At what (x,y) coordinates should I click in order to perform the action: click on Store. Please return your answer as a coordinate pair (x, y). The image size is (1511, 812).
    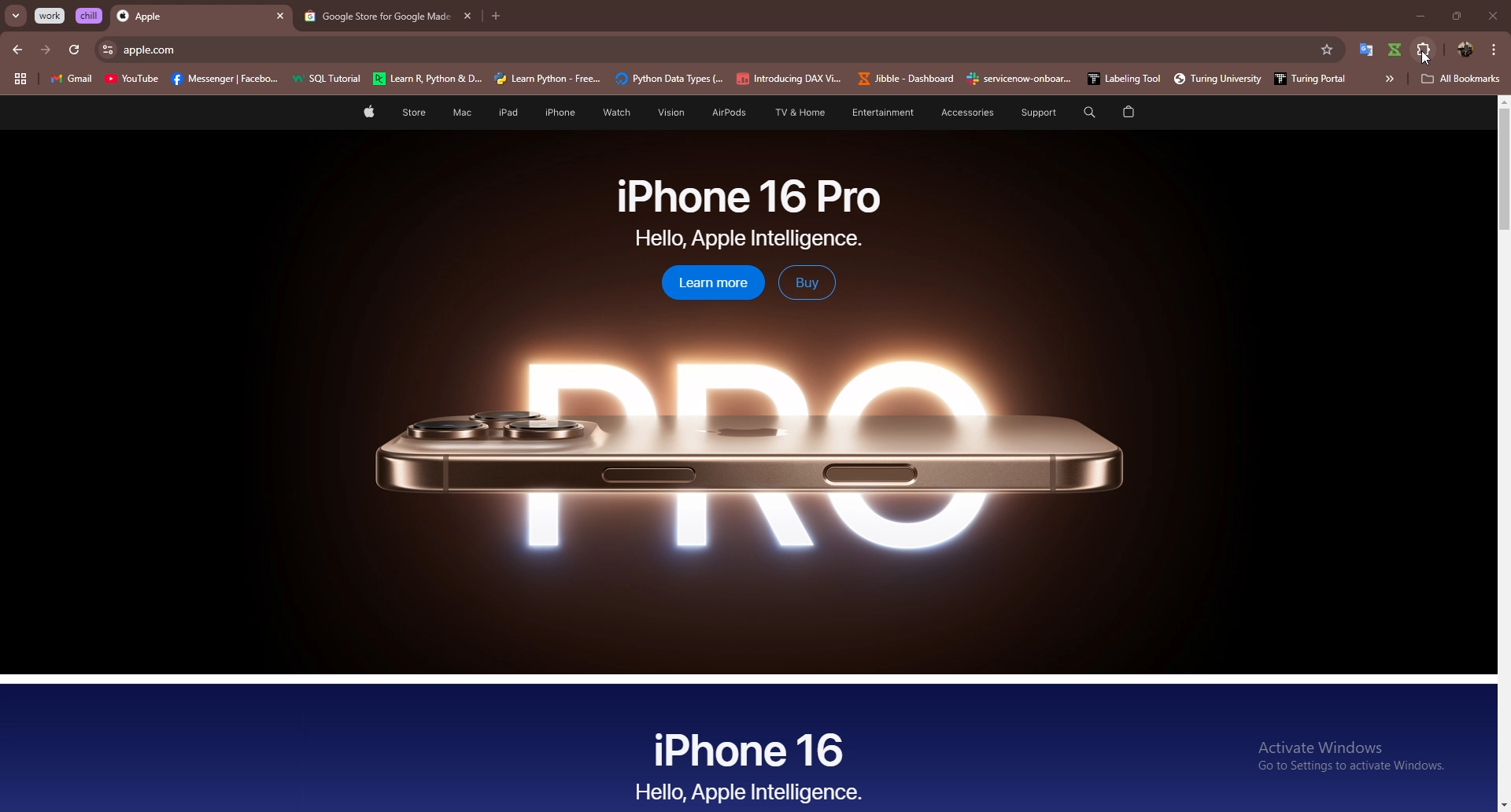
    Looking at the image, I should click on (414, 114).